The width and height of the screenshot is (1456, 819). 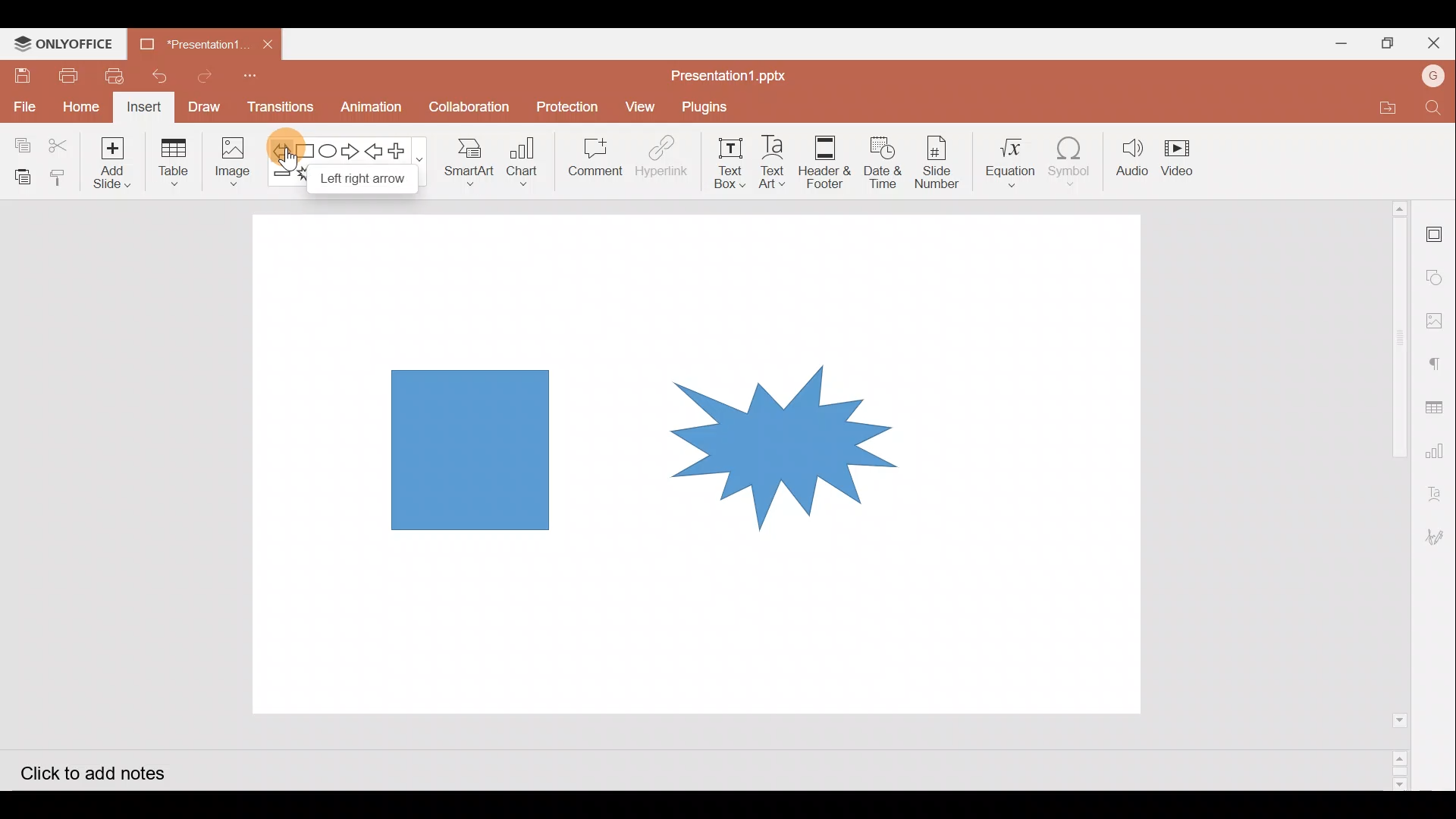 I want to click on Ellipse, so click(x=327, y=149).